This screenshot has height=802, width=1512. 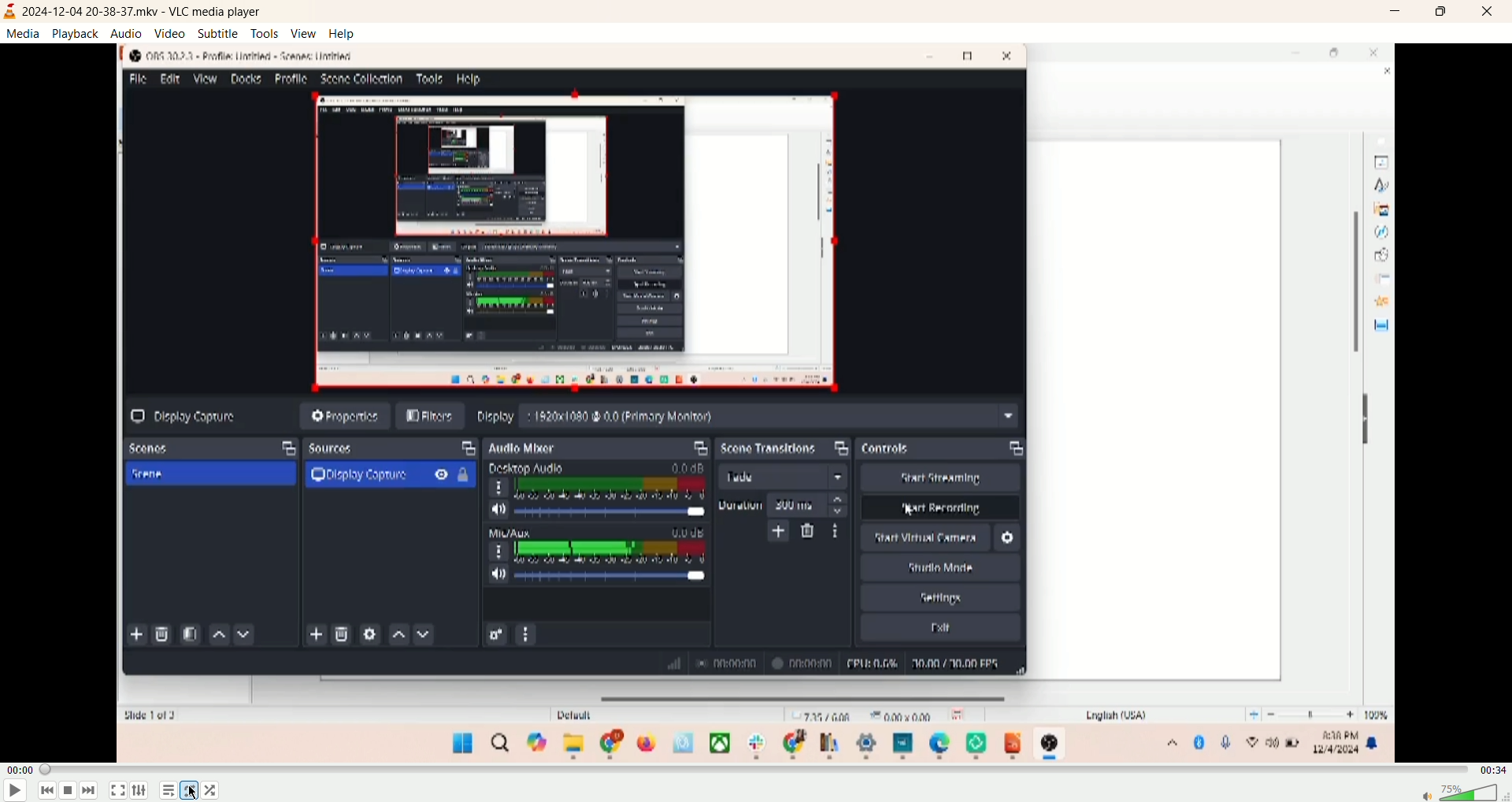 What do you see at coordinates (343, 34) in the screenshot?
I see `help` at bounding box center [343, 34].